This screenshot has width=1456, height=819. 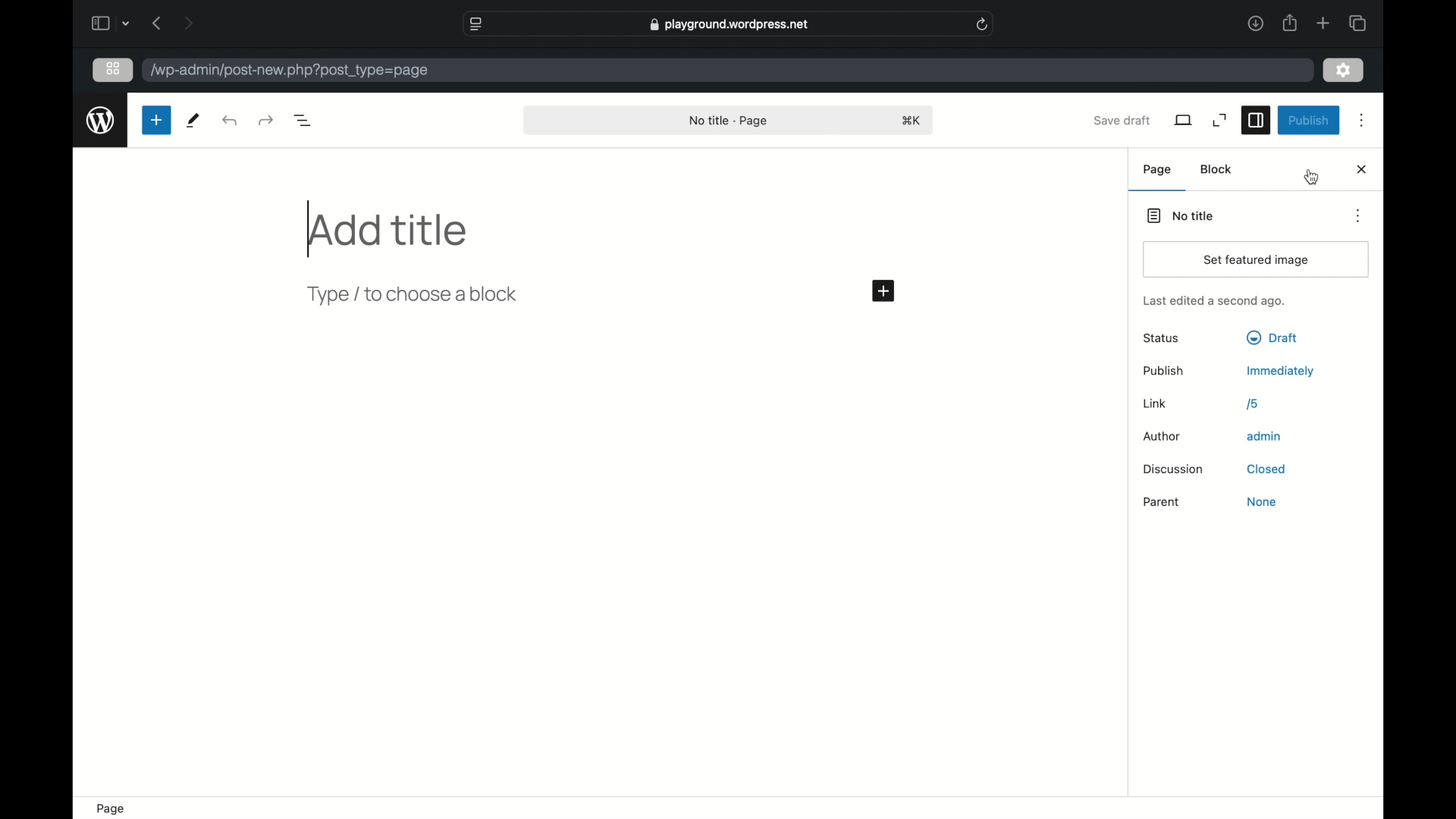 What do you see at coordinates (126, 24) in the screenshot?
I see `tab group picker` at bounding box center [126, 24].